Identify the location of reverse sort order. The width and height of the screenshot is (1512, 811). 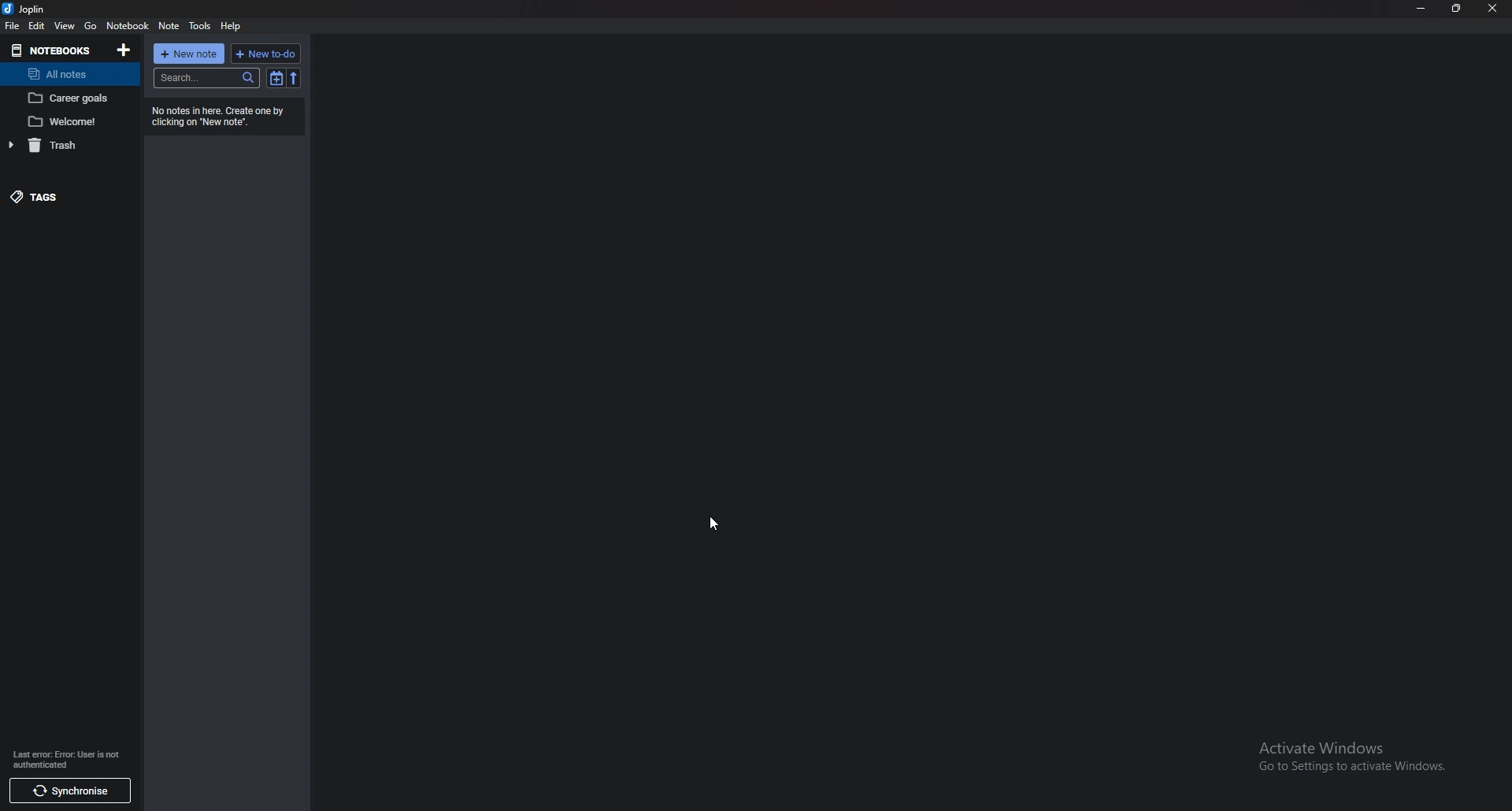
(295, 78).